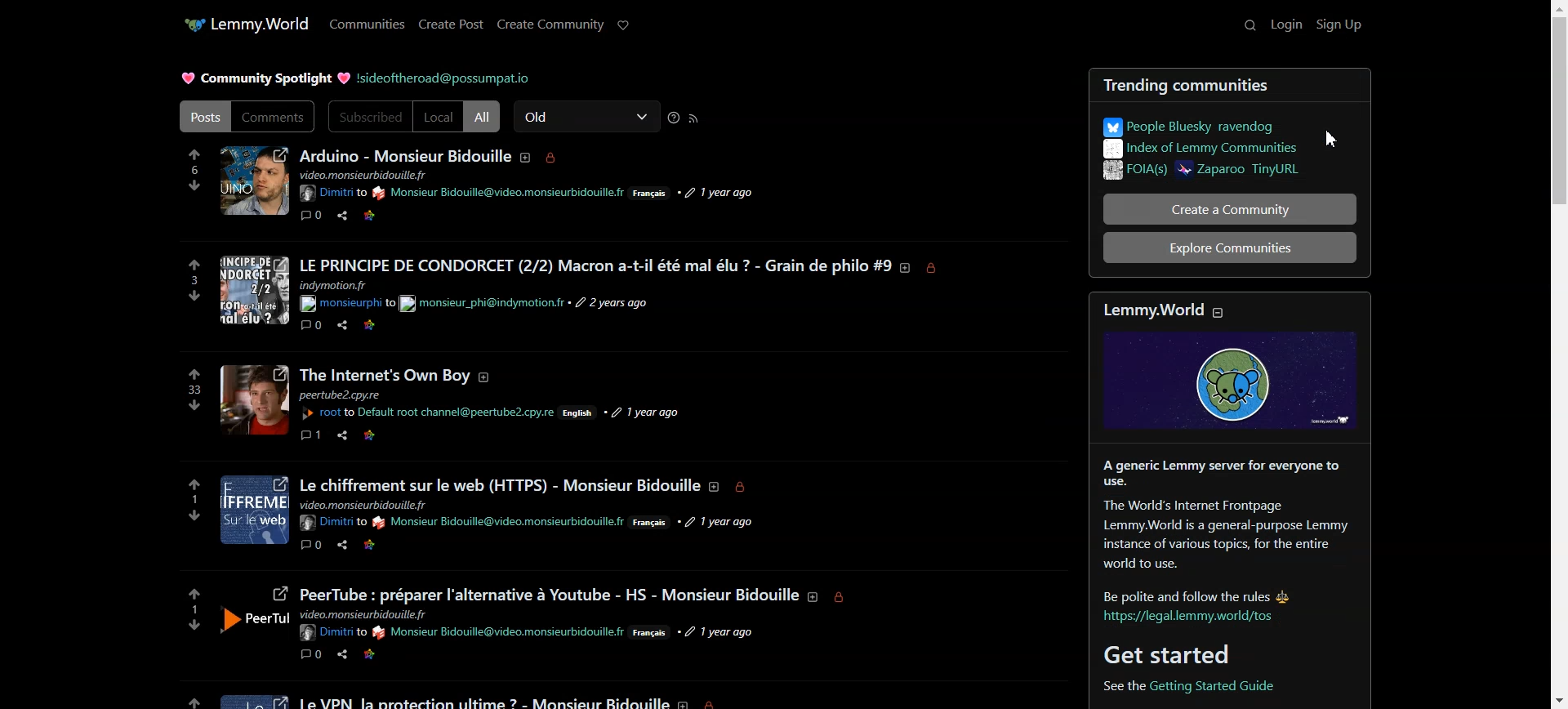 Image resolution: width=1568 pixels, height=709 pixels. What do you see at coordinates (312, 655) in the screenshot?
I see `comment` at bounding box center [312, 655].